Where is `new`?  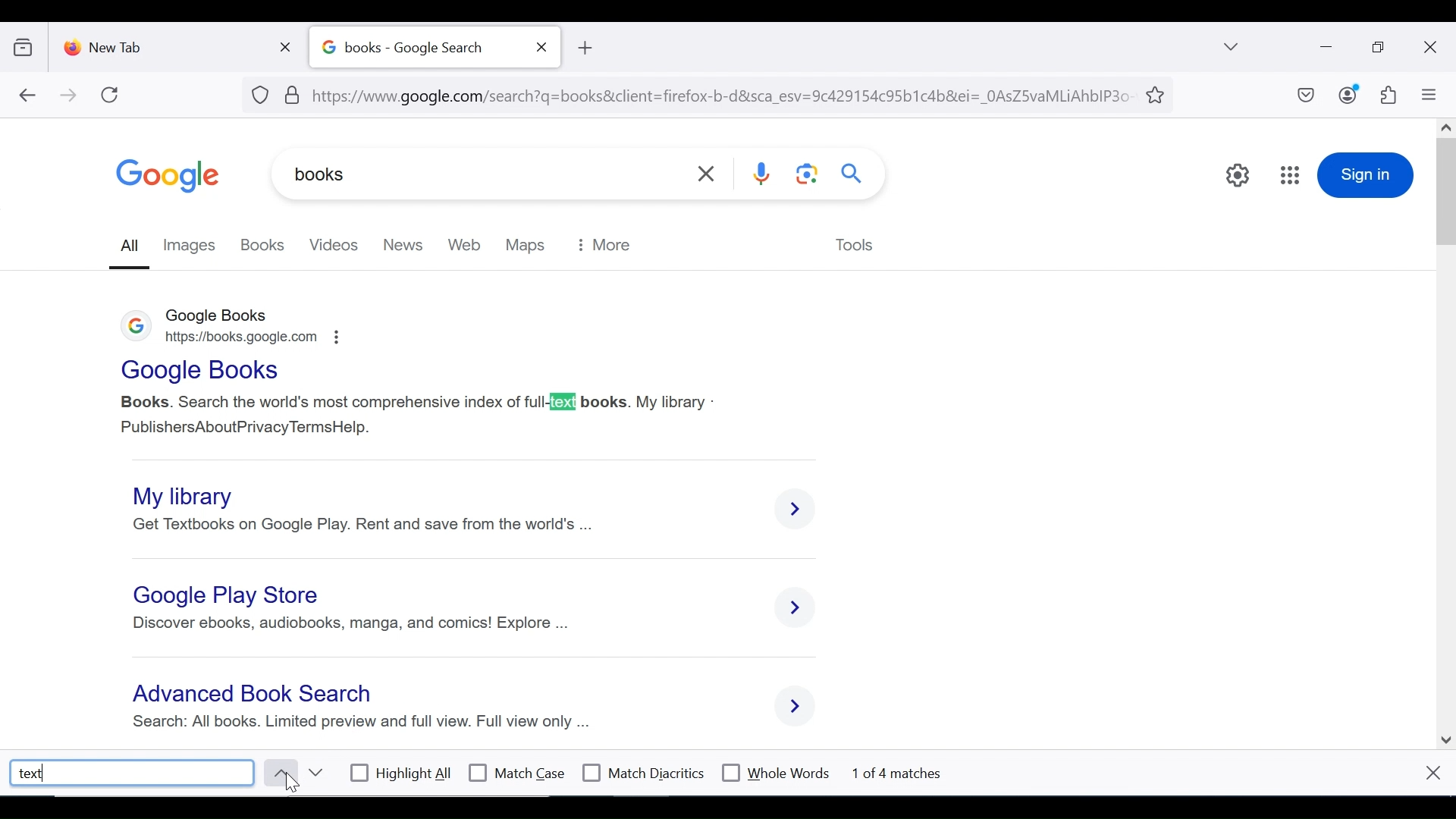
new is located at coordinates (402, 243).